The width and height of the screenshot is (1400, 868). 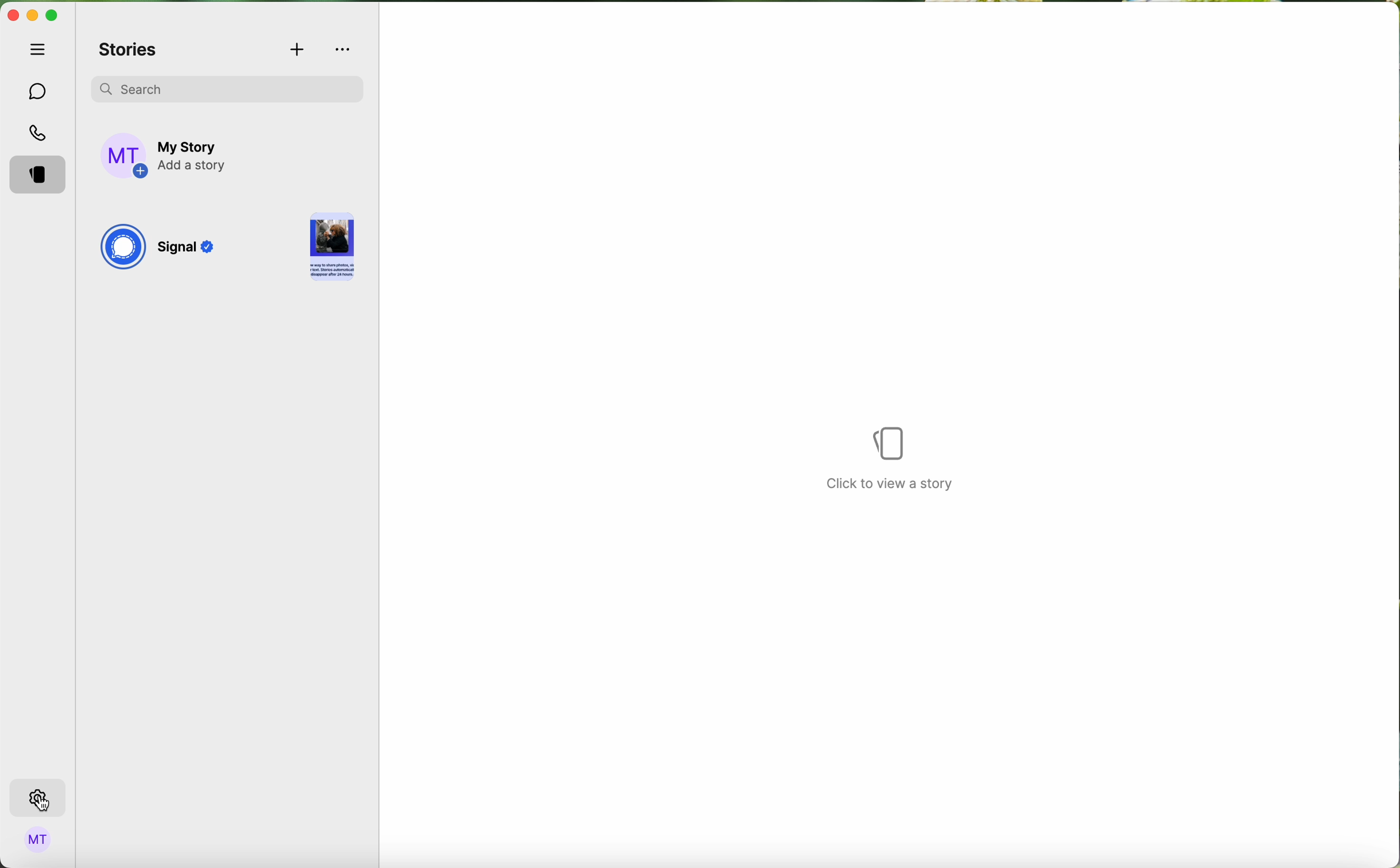 I want to click on icon, so click(x=891, y=443).